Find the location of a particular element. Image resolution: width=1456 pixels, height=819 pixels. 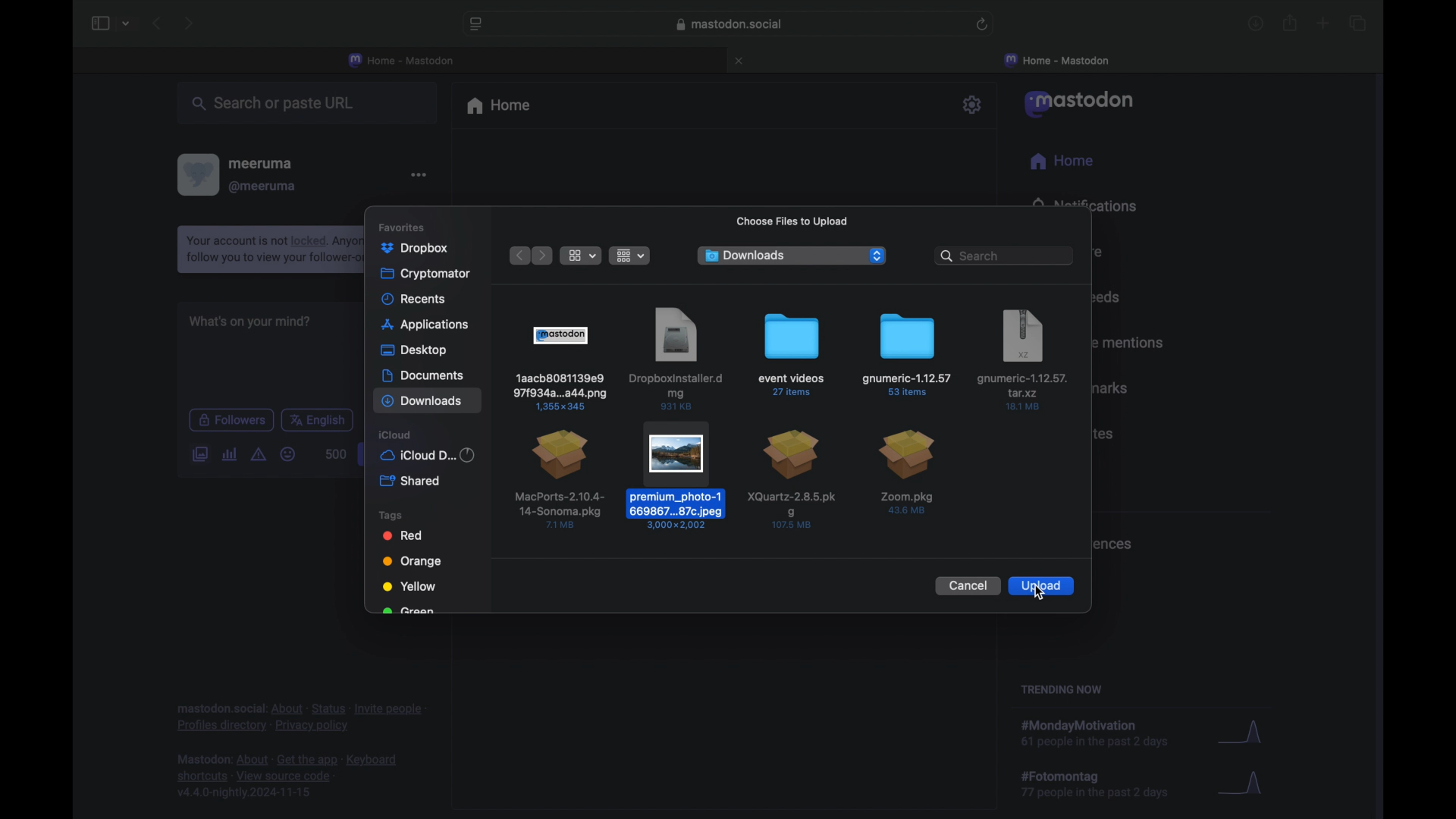

tags is located at coordinates (391, 514).